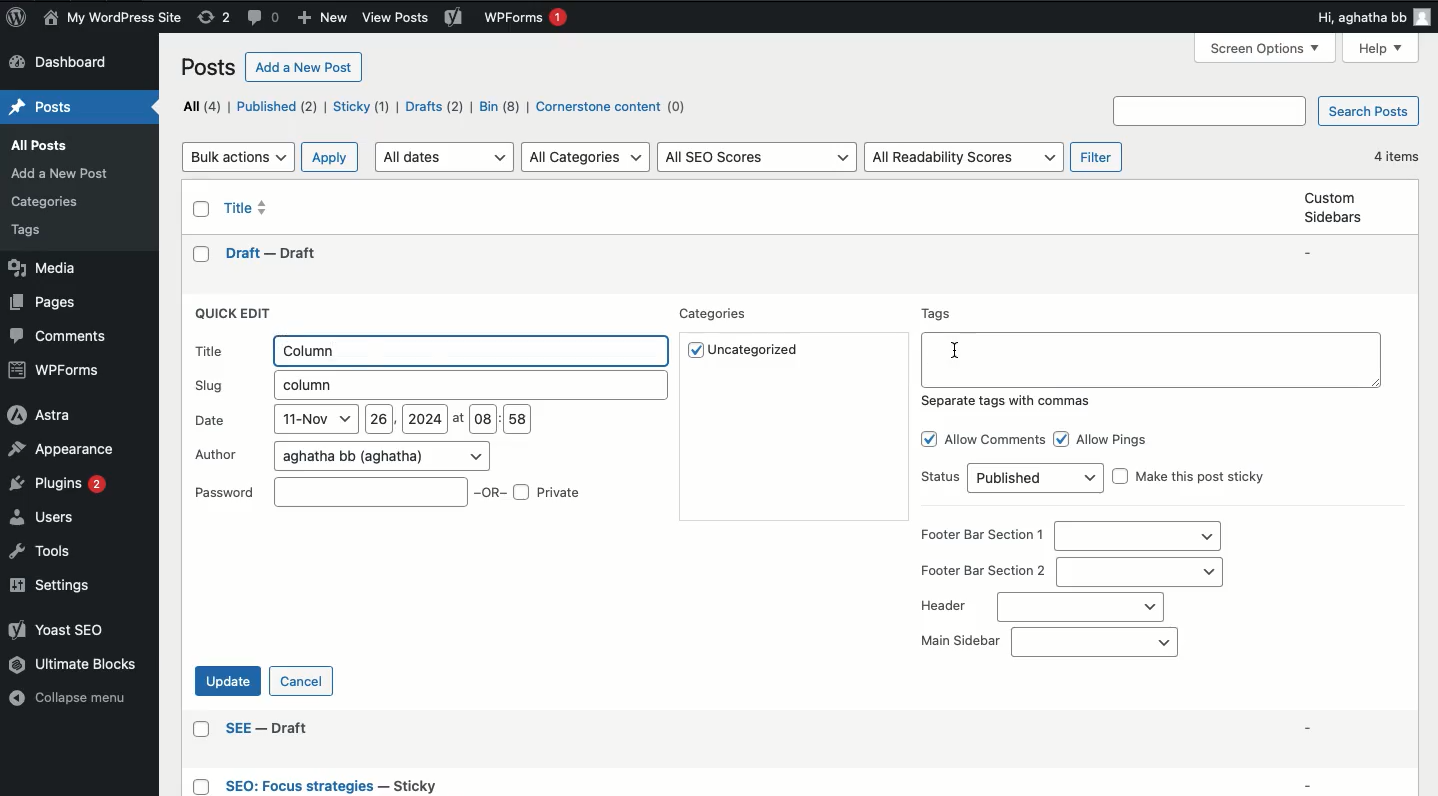 The height and width of the screenshot is (796, 1438). What do you see at coordinates (1395, 158) in the screenshot?
I see `4 items` at bounding box center [1395, 158].